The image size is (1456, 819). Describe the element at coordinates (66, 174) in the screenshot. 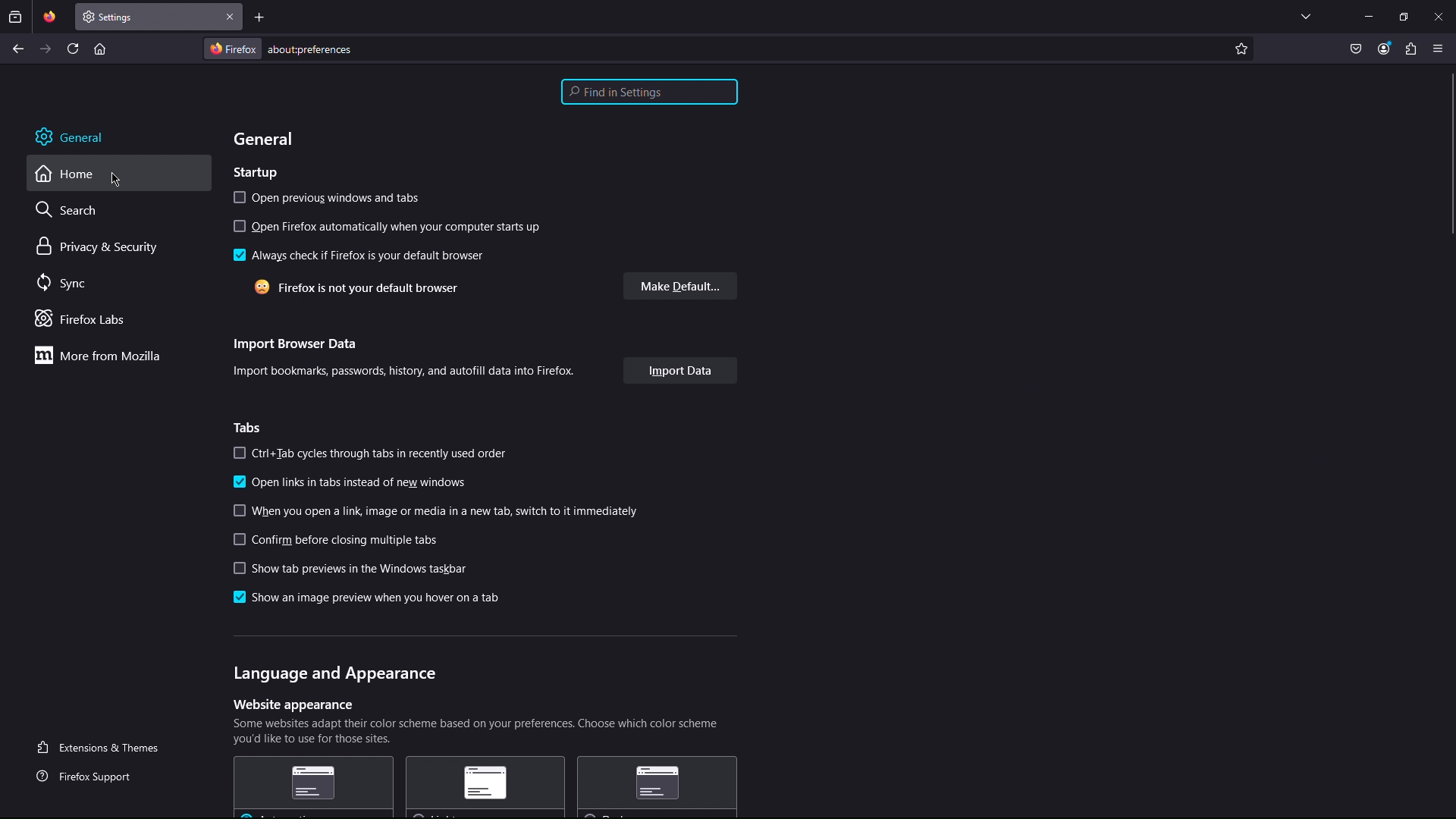

I see `Home` at that location.